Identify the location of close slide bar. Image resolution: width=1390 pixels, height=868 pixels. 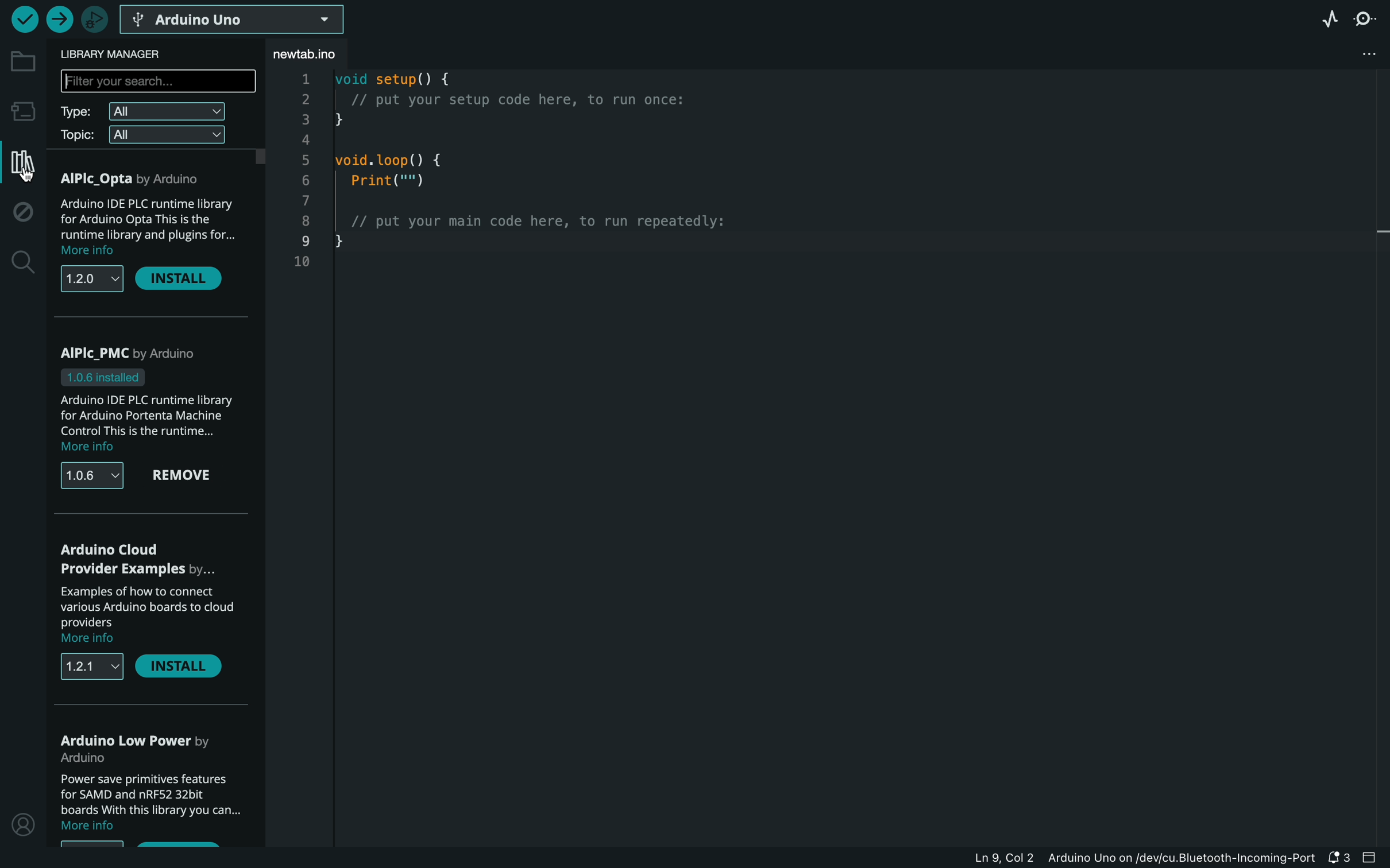
(1374, 858).